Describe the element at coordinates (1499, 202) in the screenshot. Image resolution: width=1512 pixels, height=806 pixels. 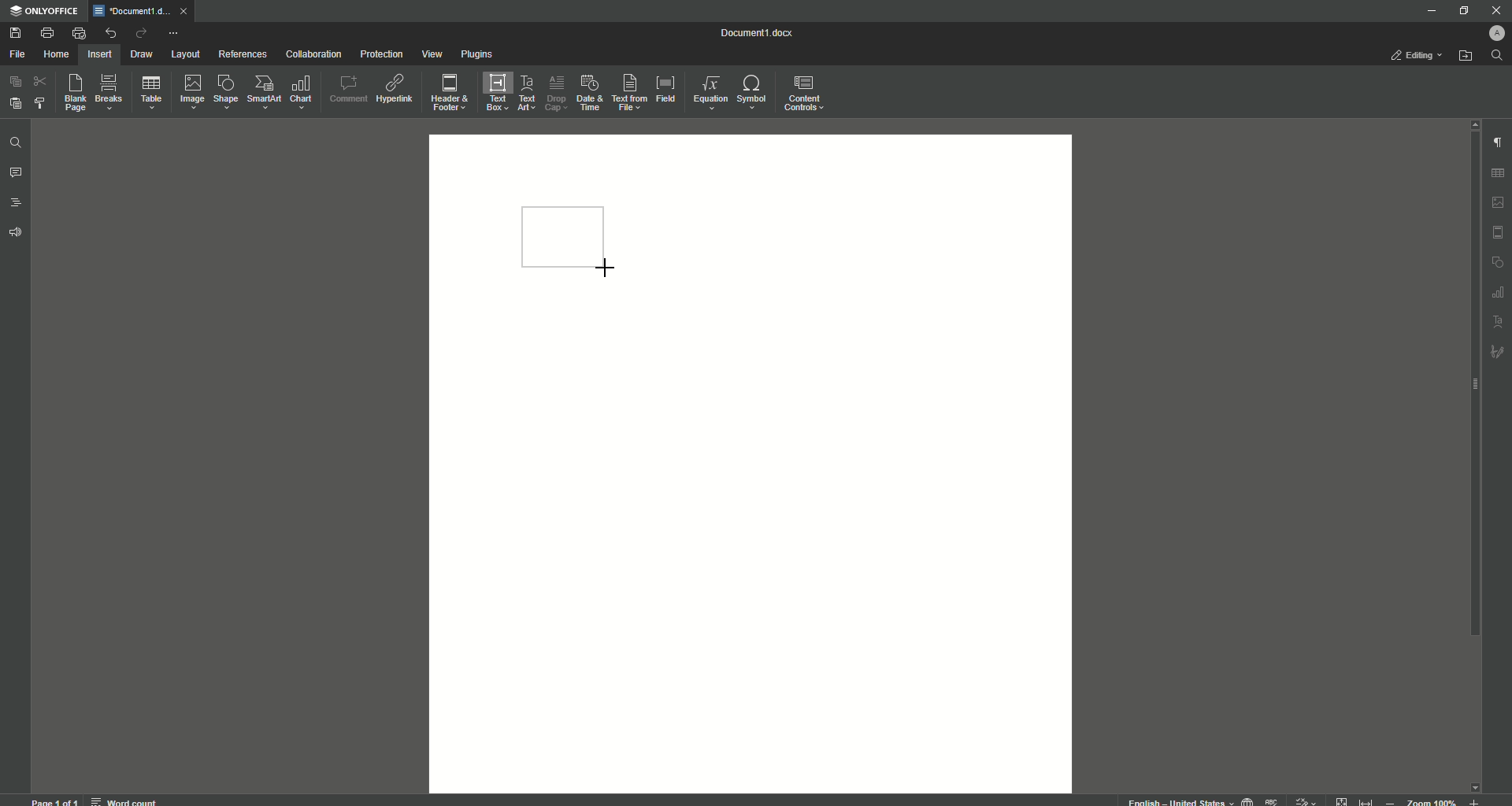
I see `image` at that location.